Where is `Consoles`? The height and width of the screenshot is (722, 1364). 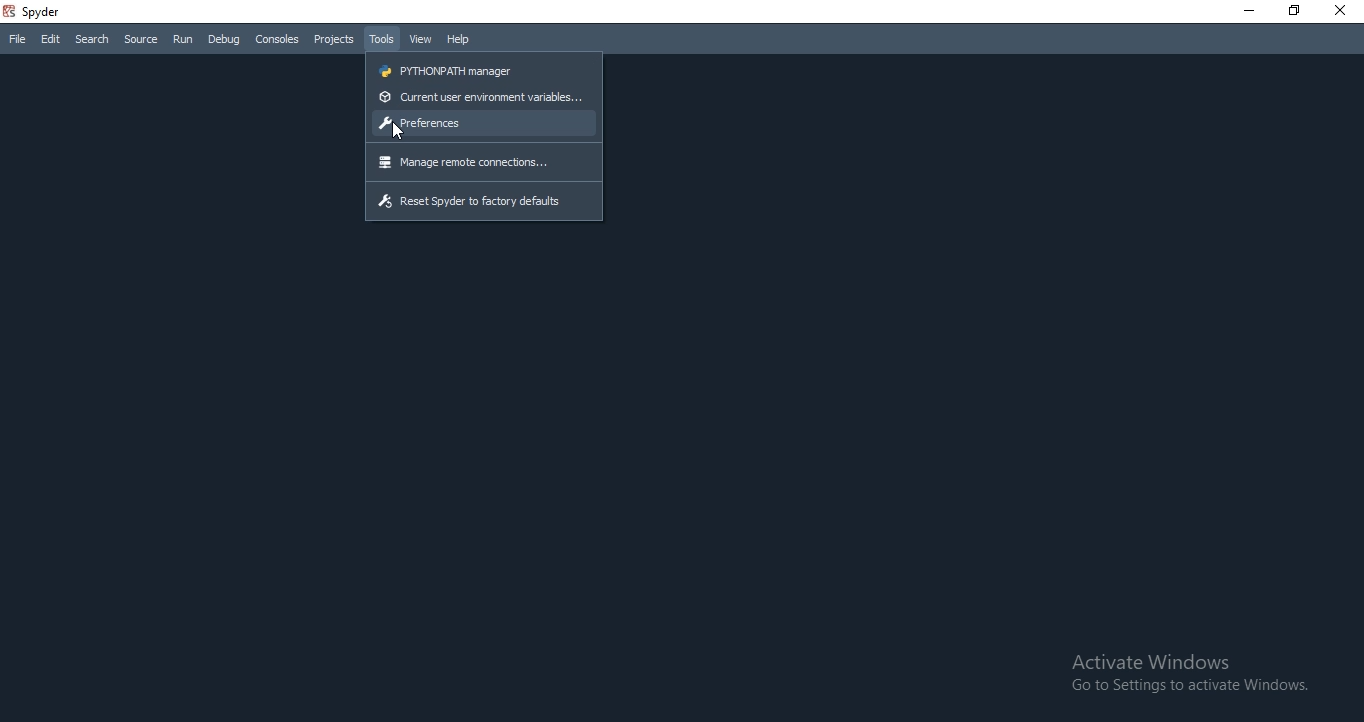 Consoles is located at coordinates (275, 39).